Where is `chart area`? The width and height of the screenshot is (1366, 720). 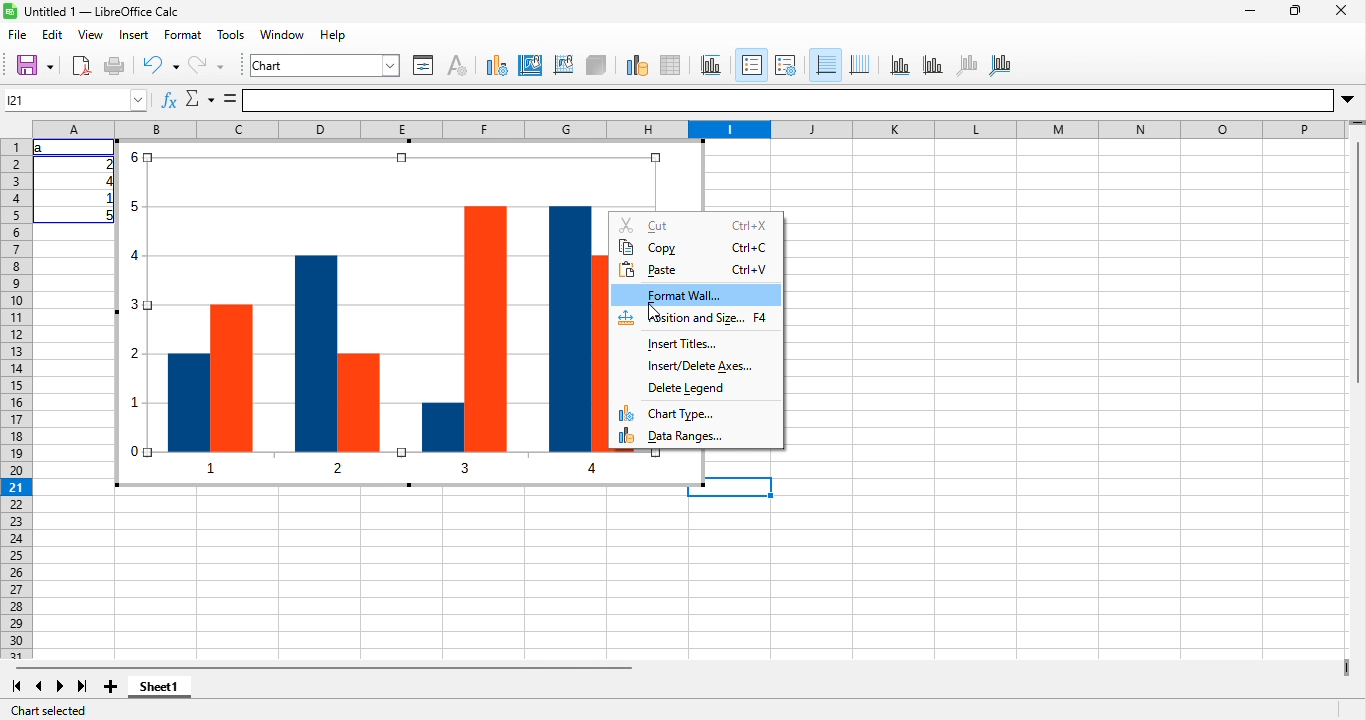
chart area is located at coordinates (325, 65).